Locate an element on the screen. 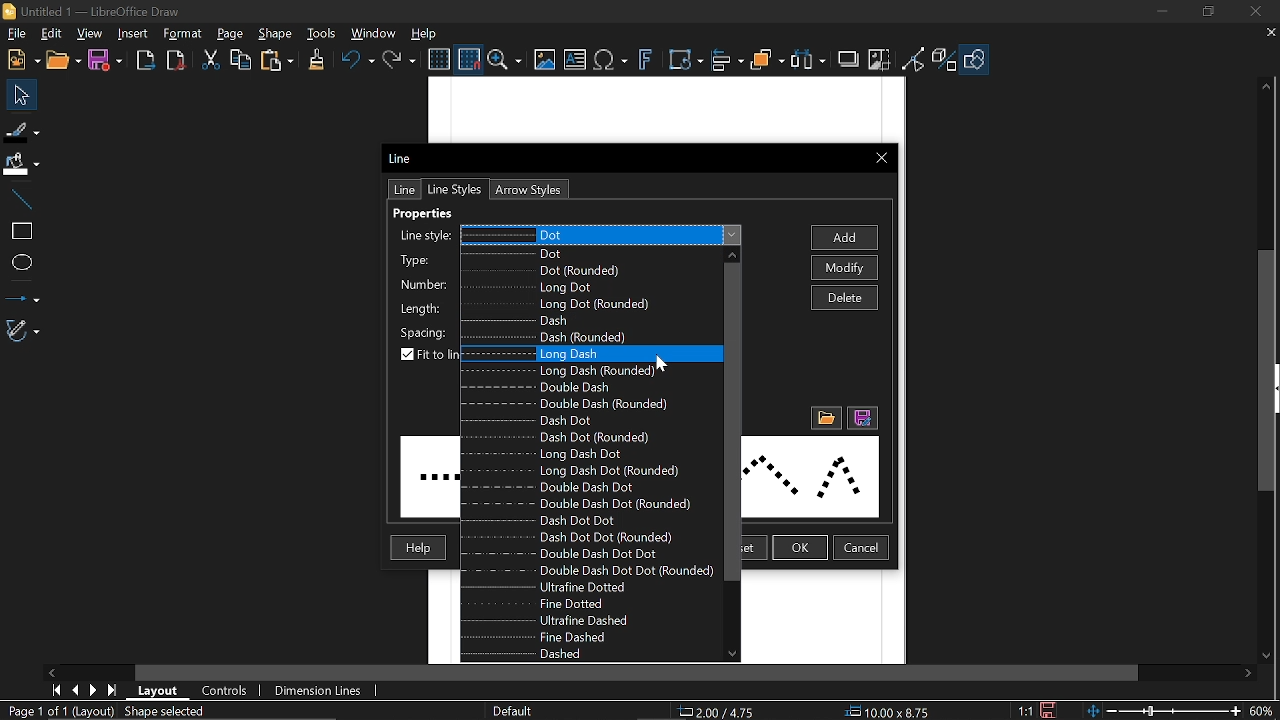 The width and height of the screenshot is (1280, 720). rectangle is located at coordinates (21, 232).